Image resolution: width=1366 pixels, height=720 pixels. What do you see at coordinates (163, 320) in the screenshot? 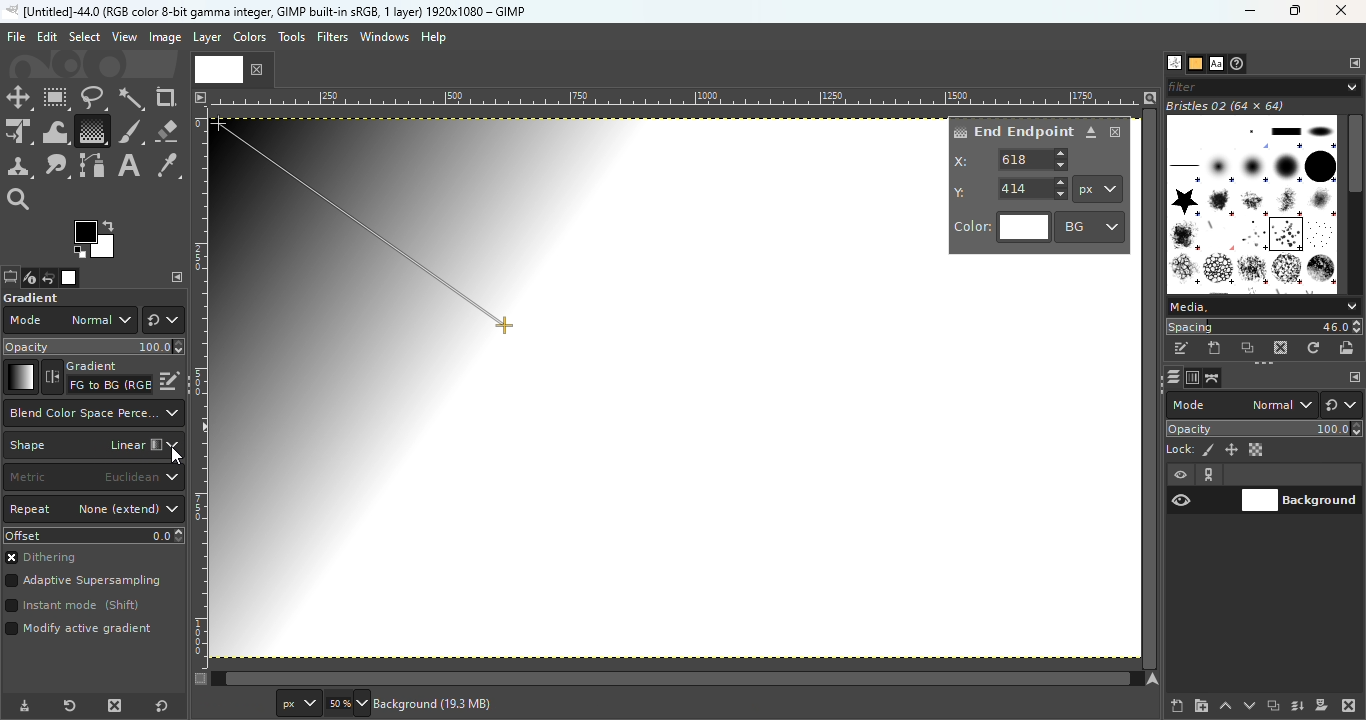
I see `Switch to another group of modes` at bounding box center [163, 320].